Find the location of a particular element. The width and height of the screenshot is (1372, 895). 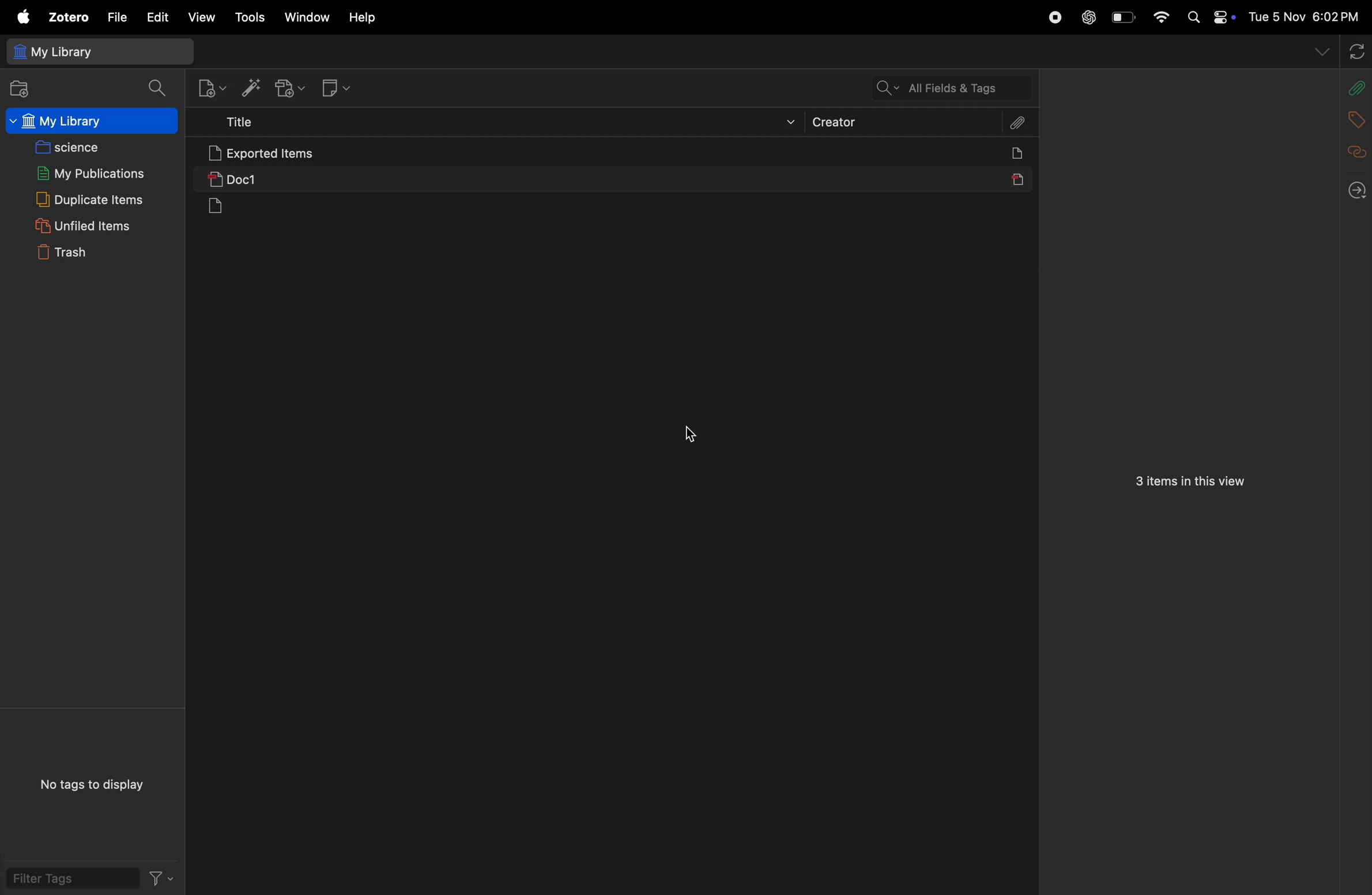

documents is located at coordinates (240, 208).